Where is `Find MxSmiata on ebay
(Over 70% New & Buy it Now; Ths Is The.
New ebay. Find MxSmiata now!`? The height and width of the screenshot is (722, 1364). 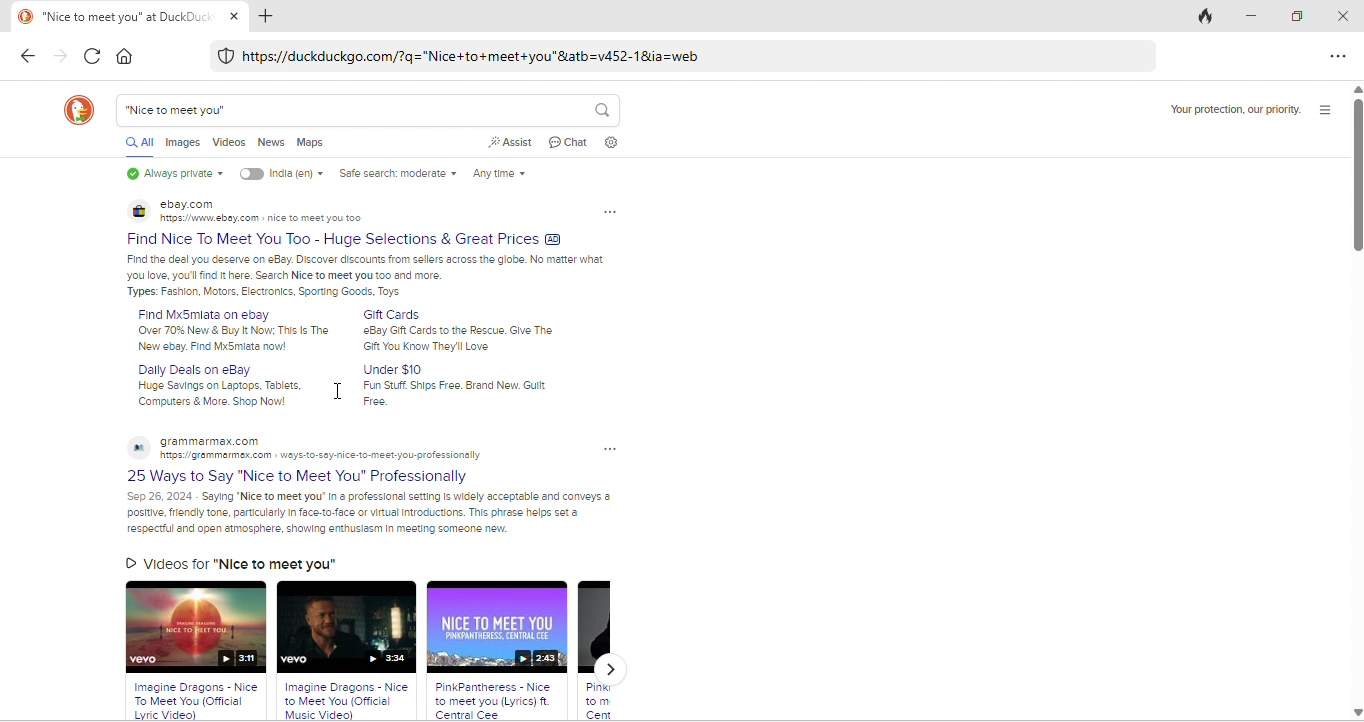
Find MxSmiata on ebay
(Over 70% New & Buy it Now; Ths Is The.
New ebay. Find MxSmiata now! is located at coordinates (230, 339).